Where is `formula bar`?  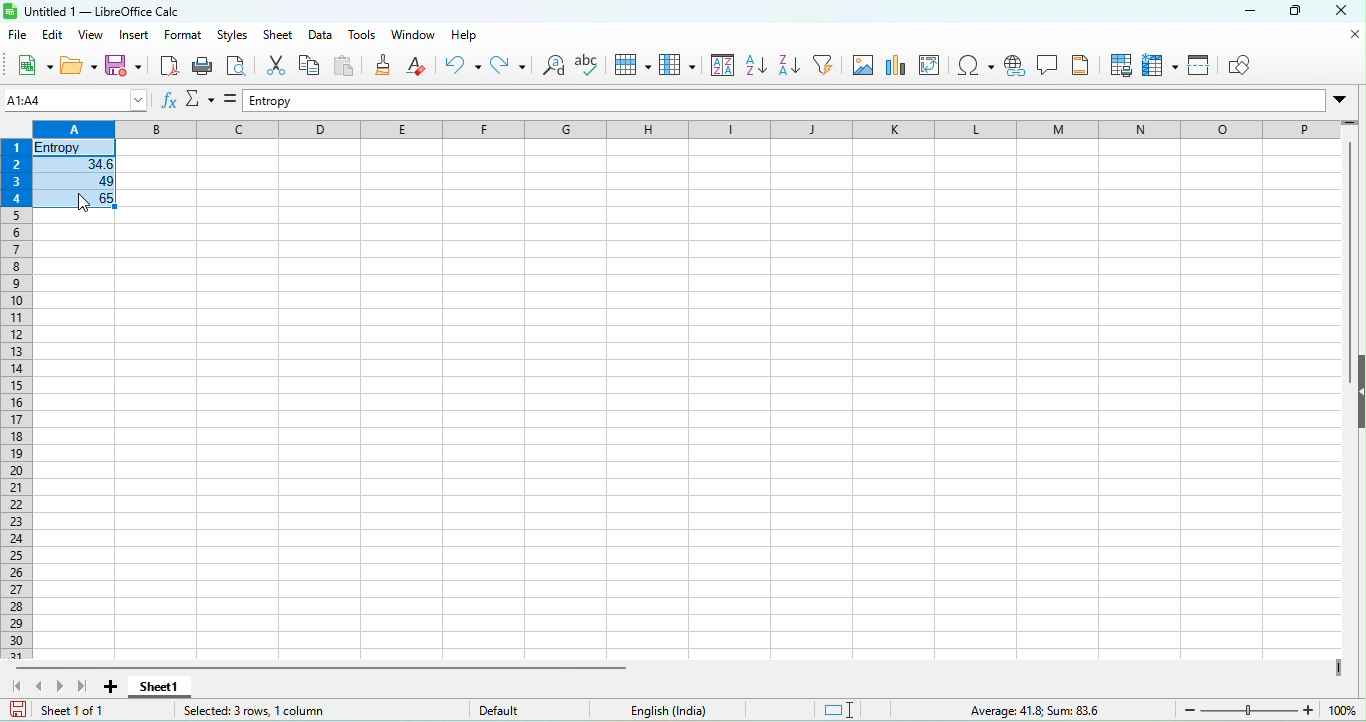 formula bar is located at coordinates (783, 102).